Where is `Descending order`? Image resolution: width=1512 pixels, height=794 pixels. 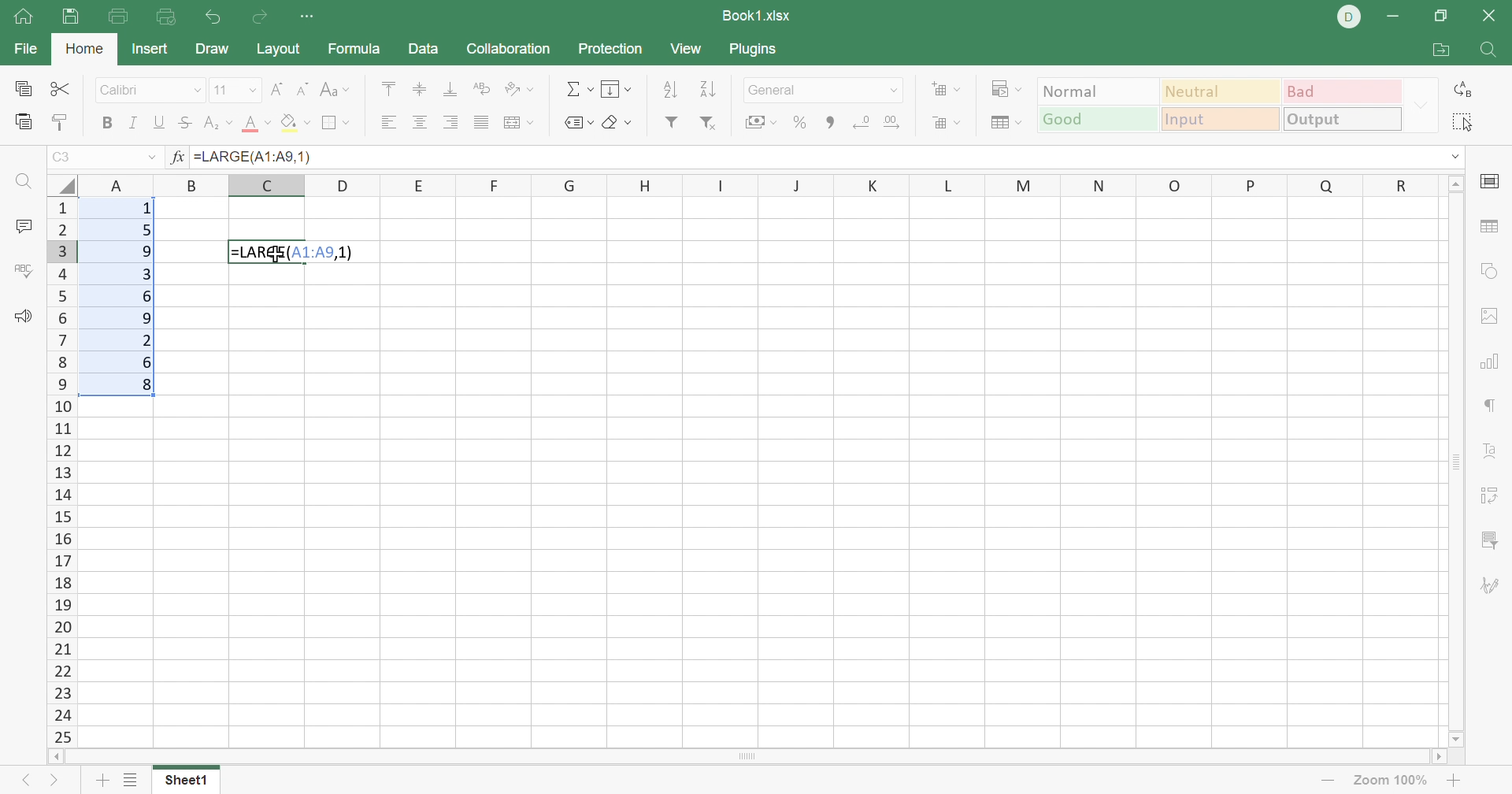
Descending order is located at coordinates (707, 89).